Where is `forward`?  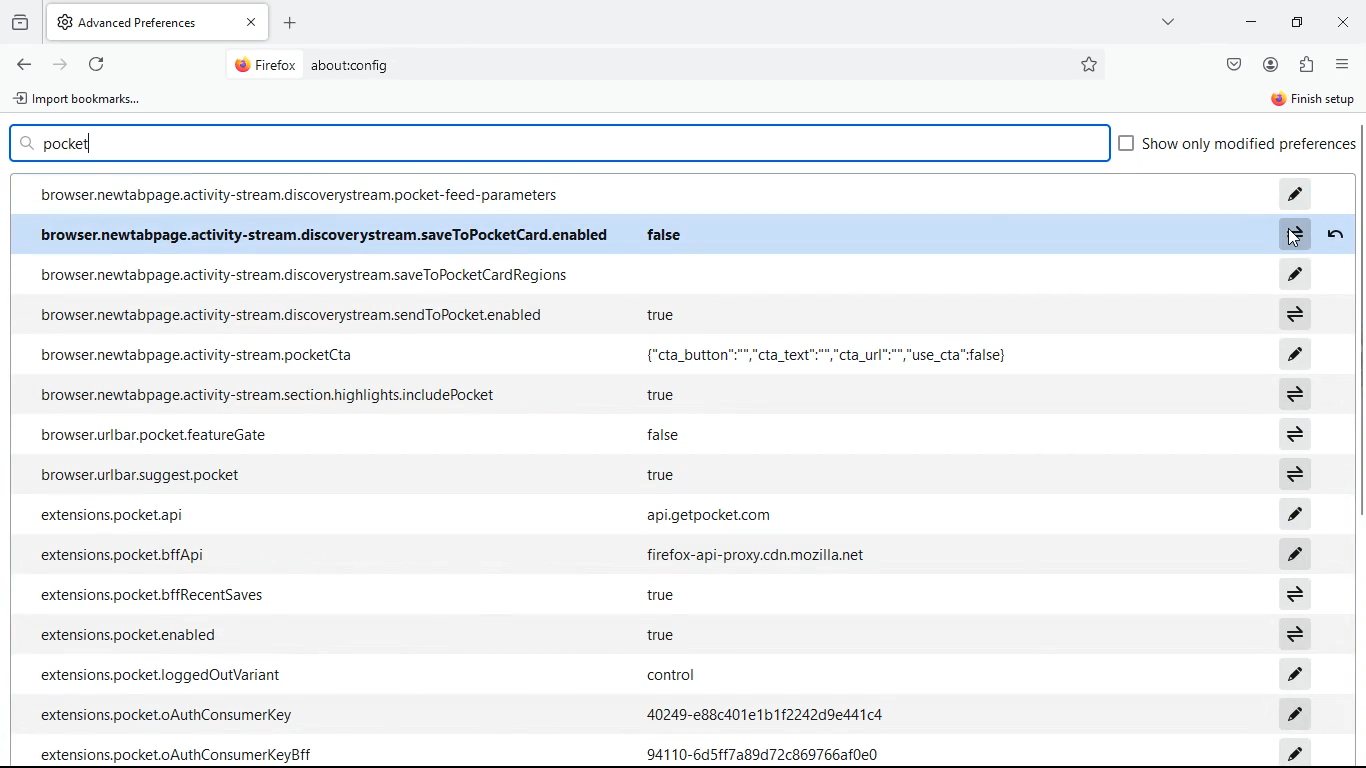
forward is located at coordinates (62, 64).